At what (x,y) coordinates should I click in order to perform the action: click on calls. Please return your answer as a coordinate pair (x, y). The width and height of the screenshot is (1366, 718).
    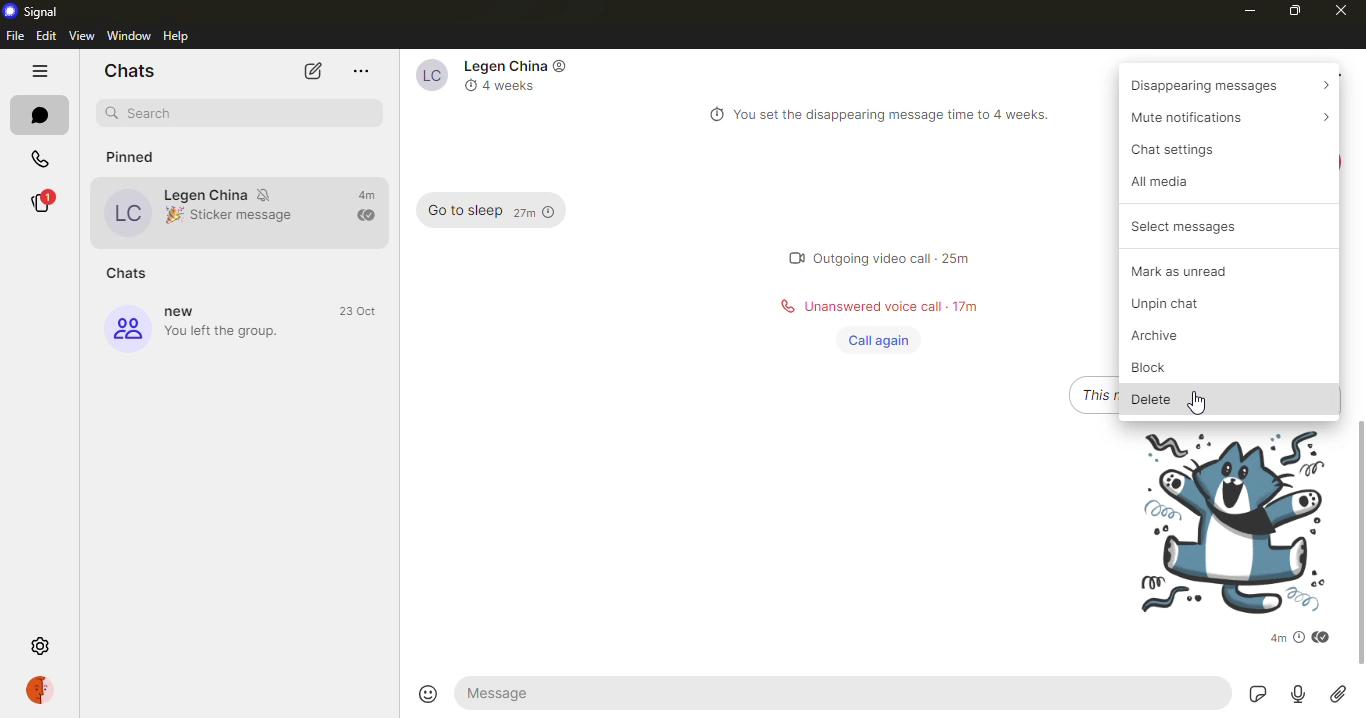
    Looking at the image, I should click on (40, 158).